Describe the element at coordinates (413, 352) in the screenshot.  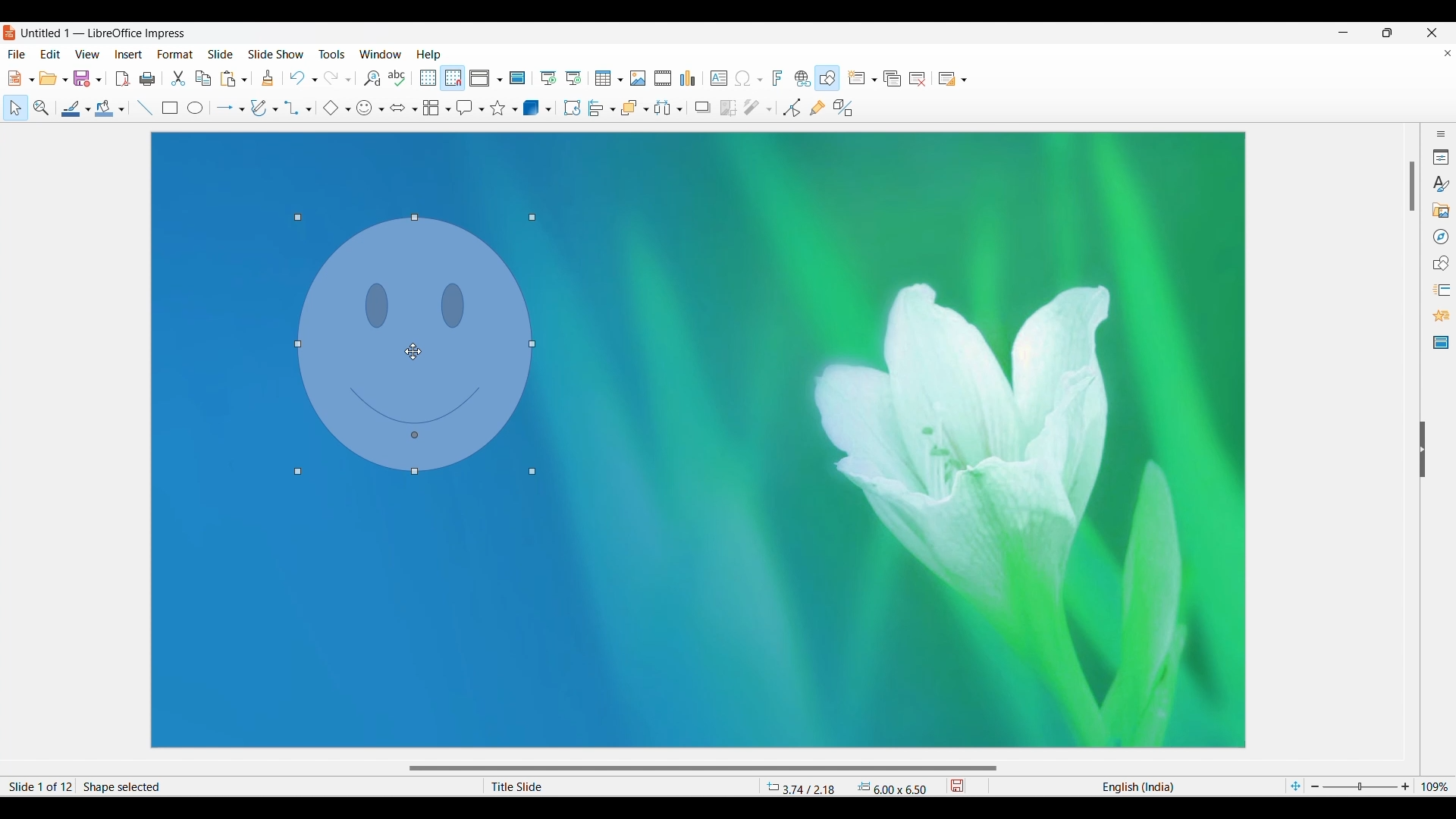
I see `Cursor position unchanged` at that location.